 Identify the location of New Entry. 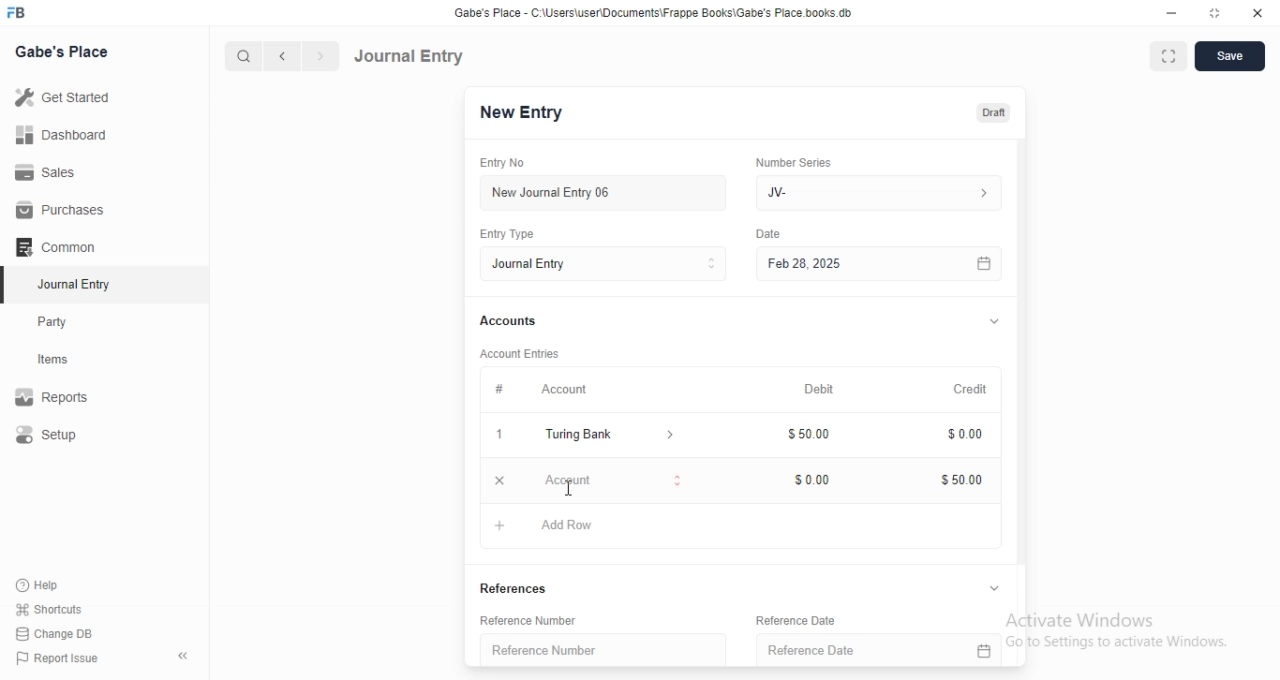
(519, 113).